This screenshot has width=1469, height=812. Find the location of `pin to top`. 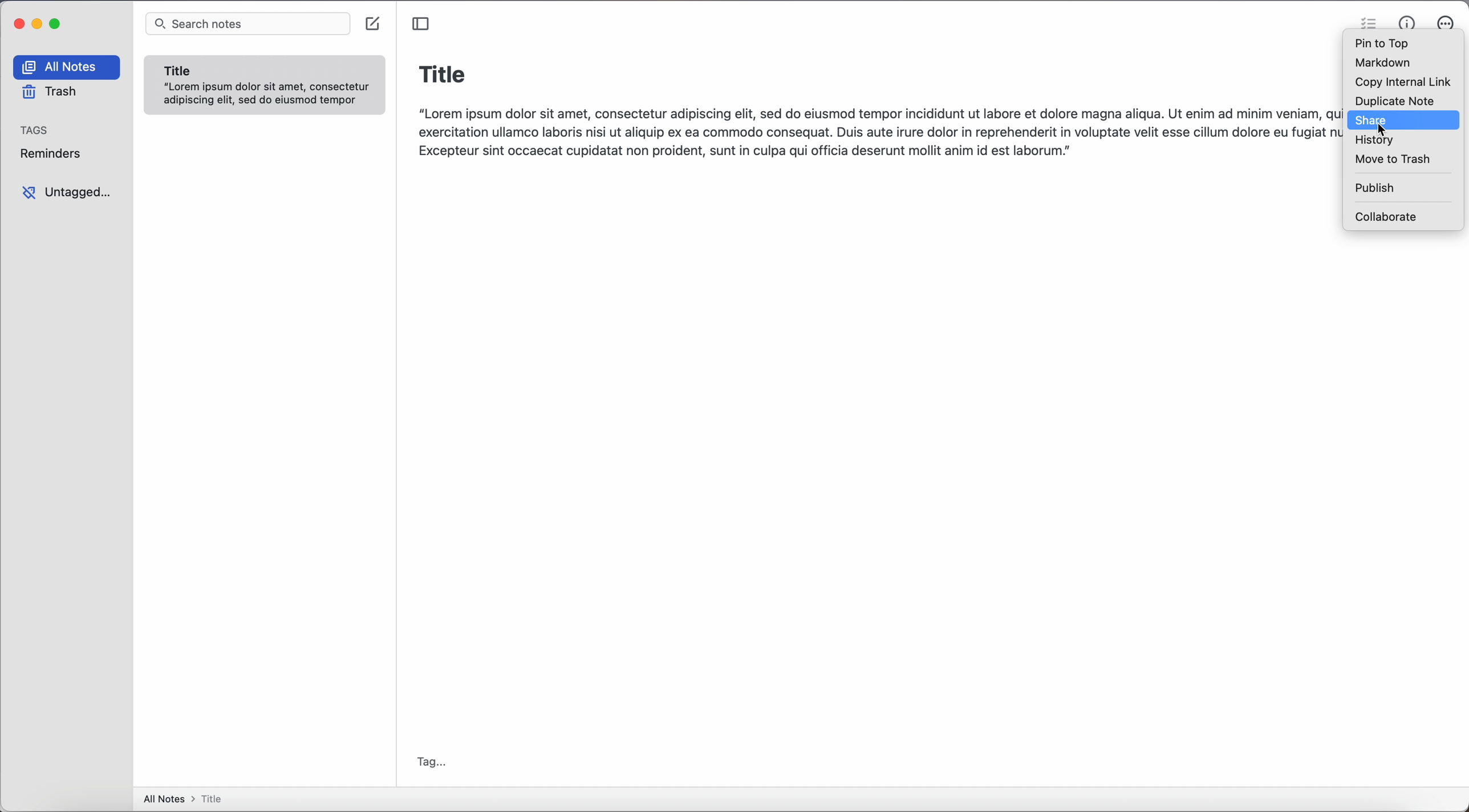

pin to top is located at coordinates (1383, 43).